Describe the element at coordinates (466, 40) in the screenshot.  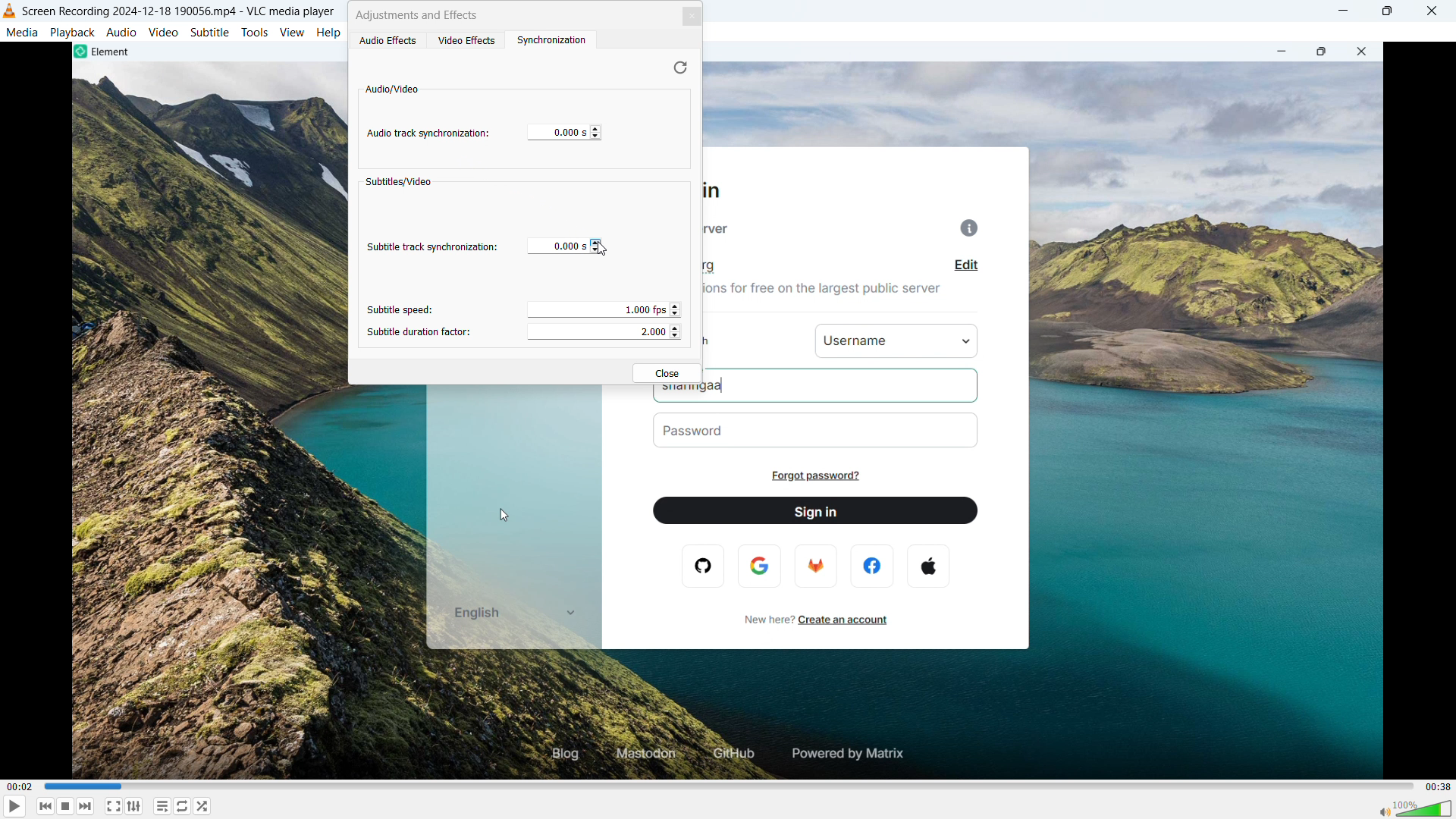
I see `video effects` at that location.